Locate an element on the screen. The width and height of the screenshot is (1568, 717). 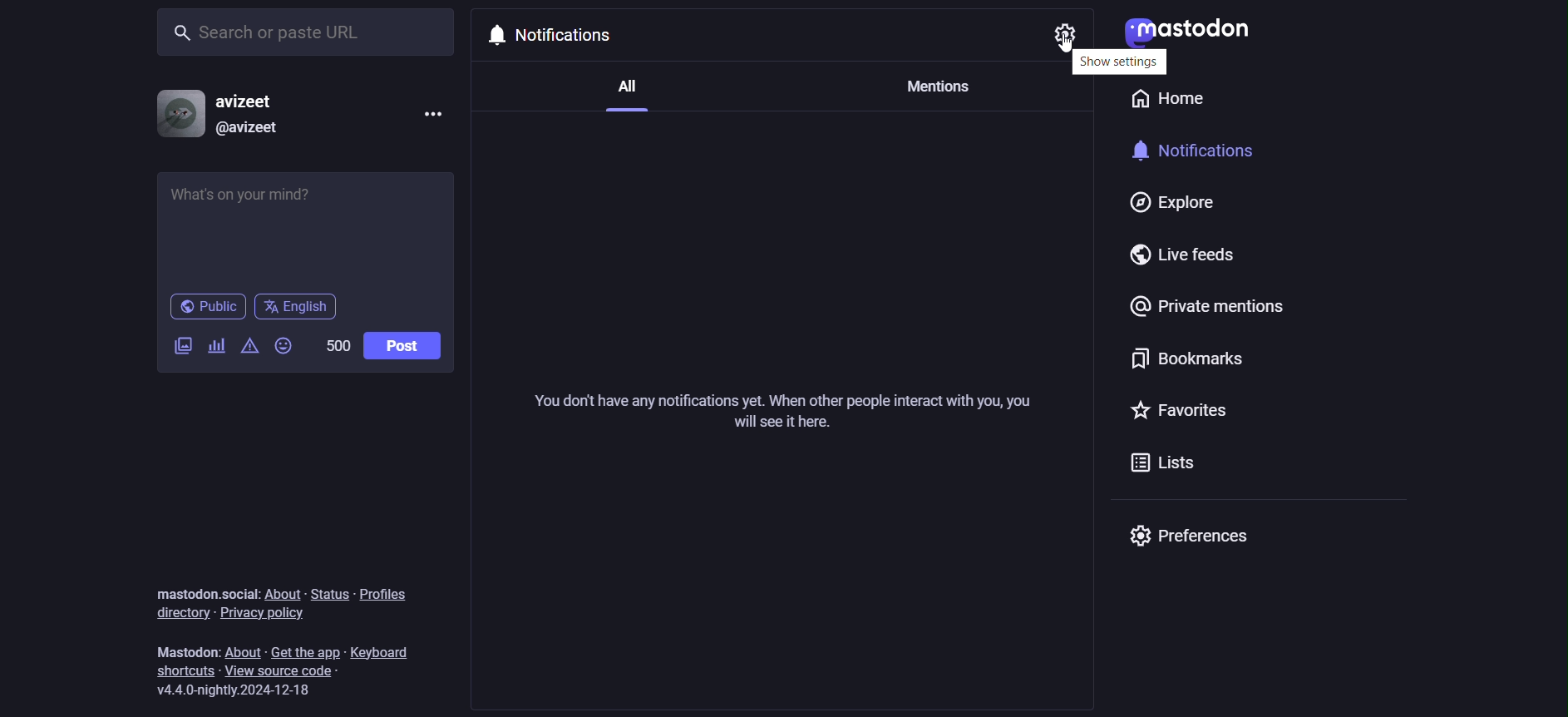
content warning is located at coordinates (248, 347).